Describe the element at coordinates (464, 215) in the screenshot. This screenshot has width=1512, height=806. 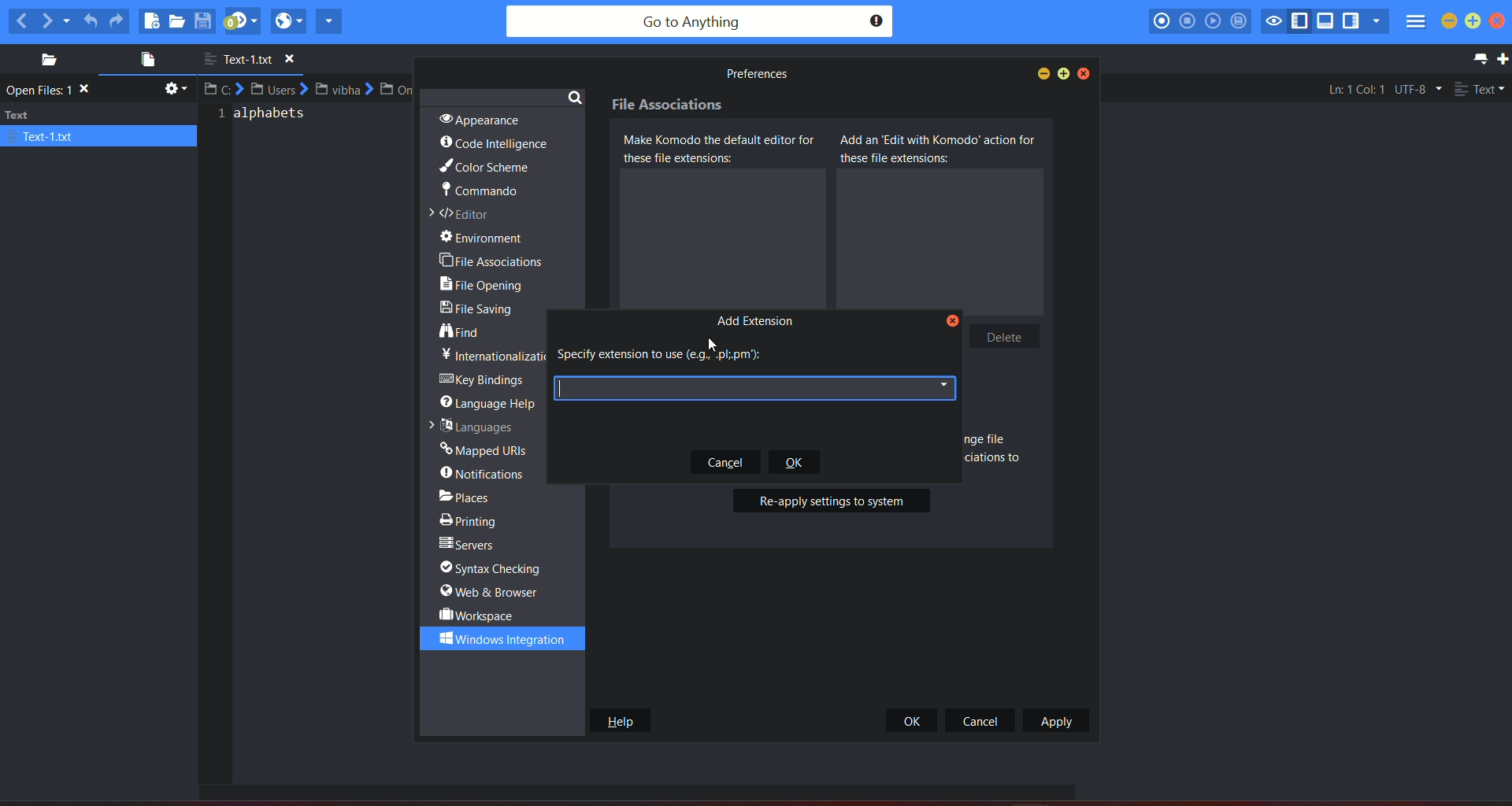
I see `editor` at that location.